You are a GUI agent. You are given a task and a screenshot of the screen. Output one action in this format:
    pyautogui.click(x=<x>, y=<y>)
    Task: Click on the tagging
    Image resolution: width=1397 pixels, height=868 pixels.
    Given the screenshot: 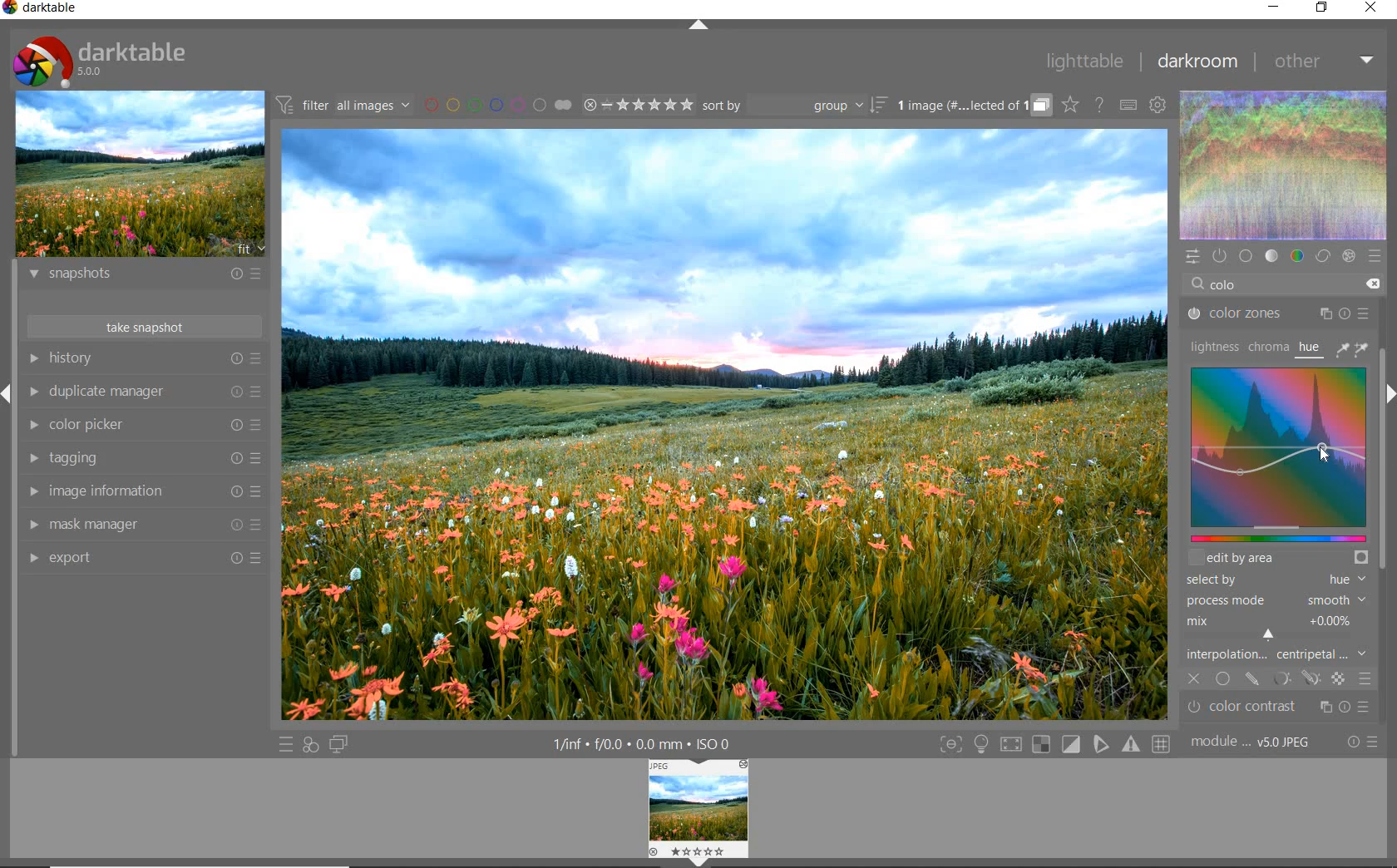 What is the action you would take?
    pyautogui.click(x=142, y=459)
    